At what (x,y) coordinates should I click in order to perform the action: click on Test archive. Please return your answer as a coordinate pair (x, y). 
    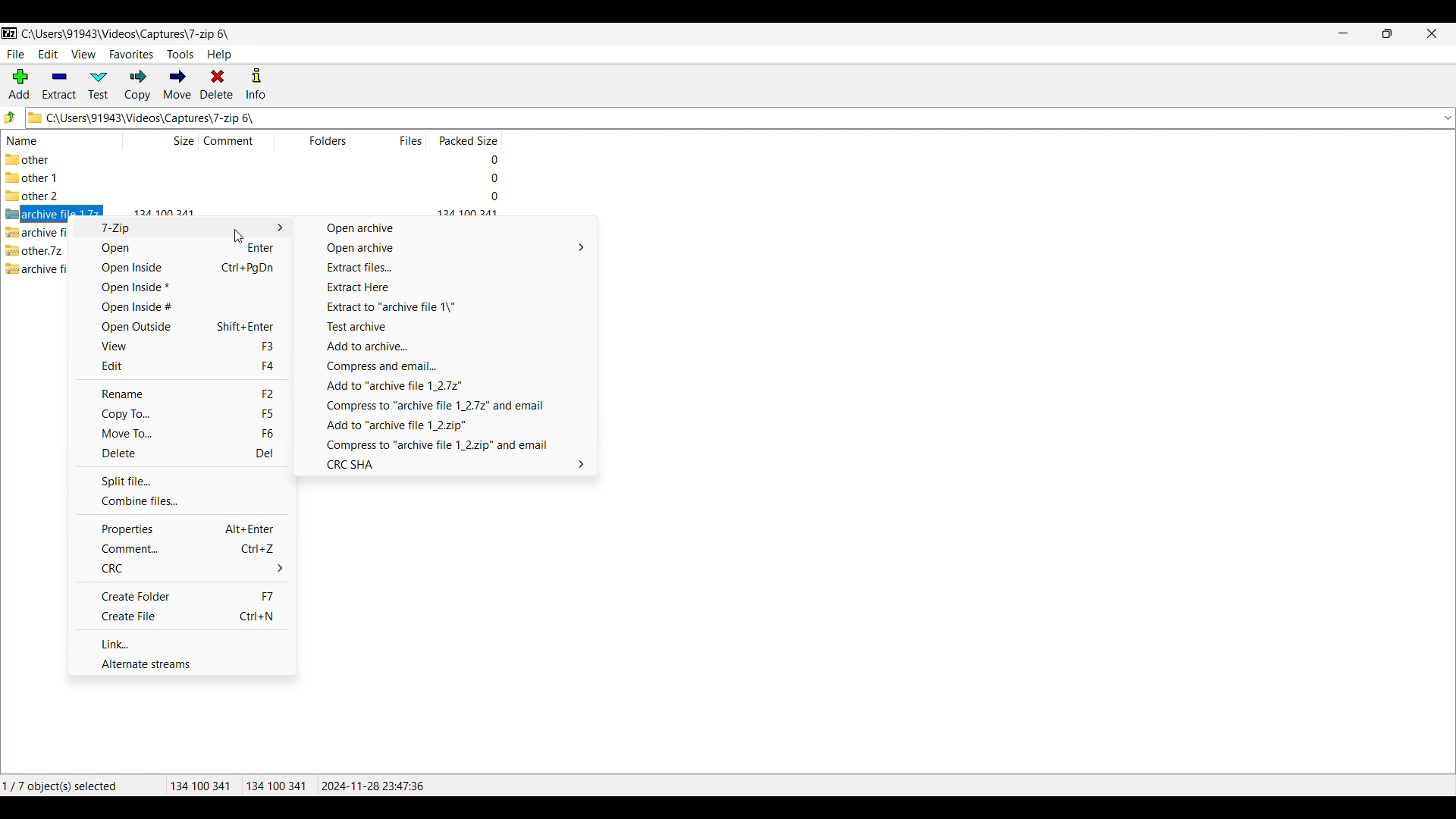
    Looking at the image, I should click on (447, 327).